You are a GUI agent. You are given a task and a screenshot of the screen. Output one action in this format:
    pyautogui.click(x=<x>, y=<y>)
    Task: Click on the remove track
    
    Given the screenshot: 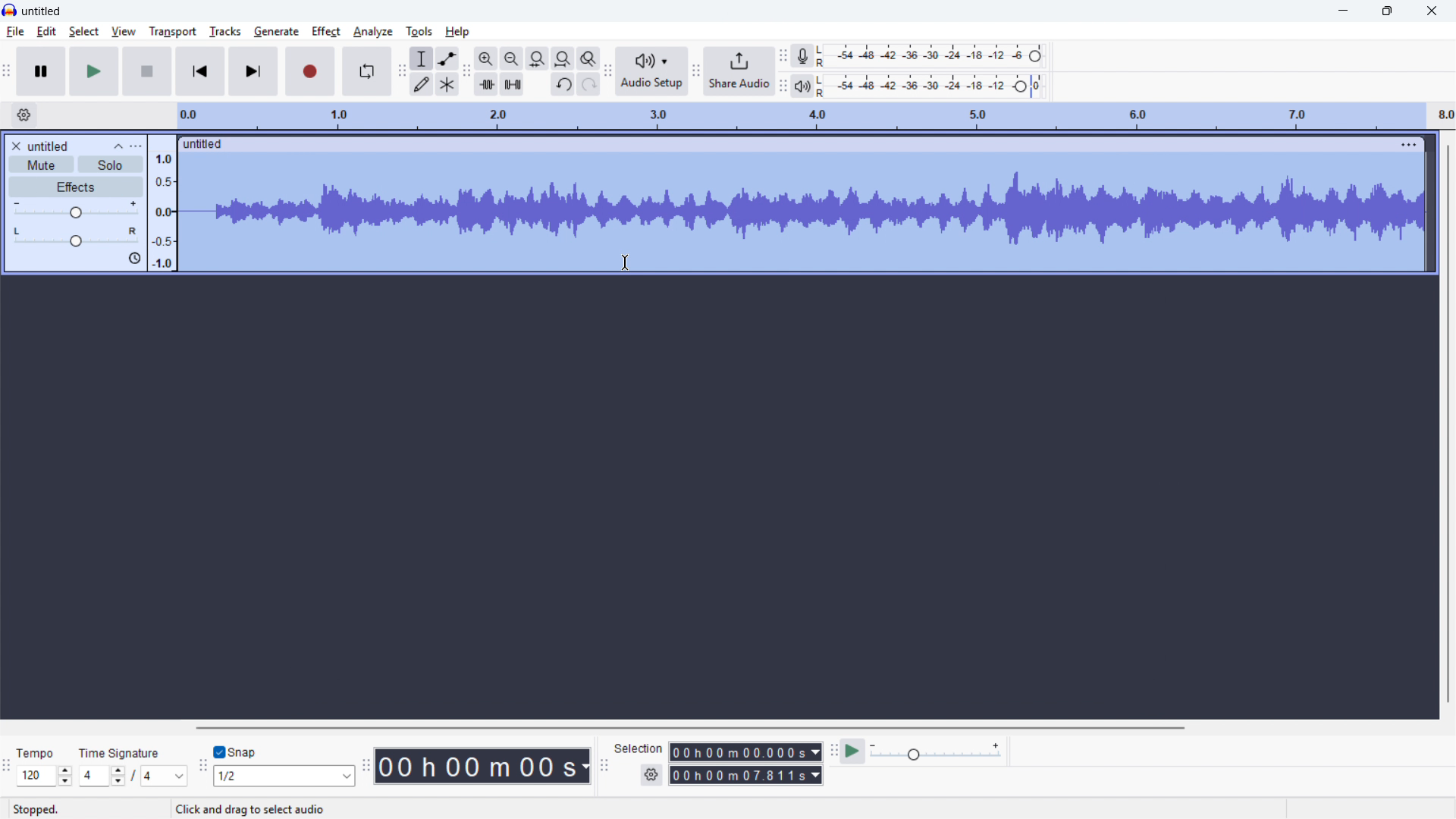 What is the action you would take?
    pyautogui.click(x=15, y=146)
    